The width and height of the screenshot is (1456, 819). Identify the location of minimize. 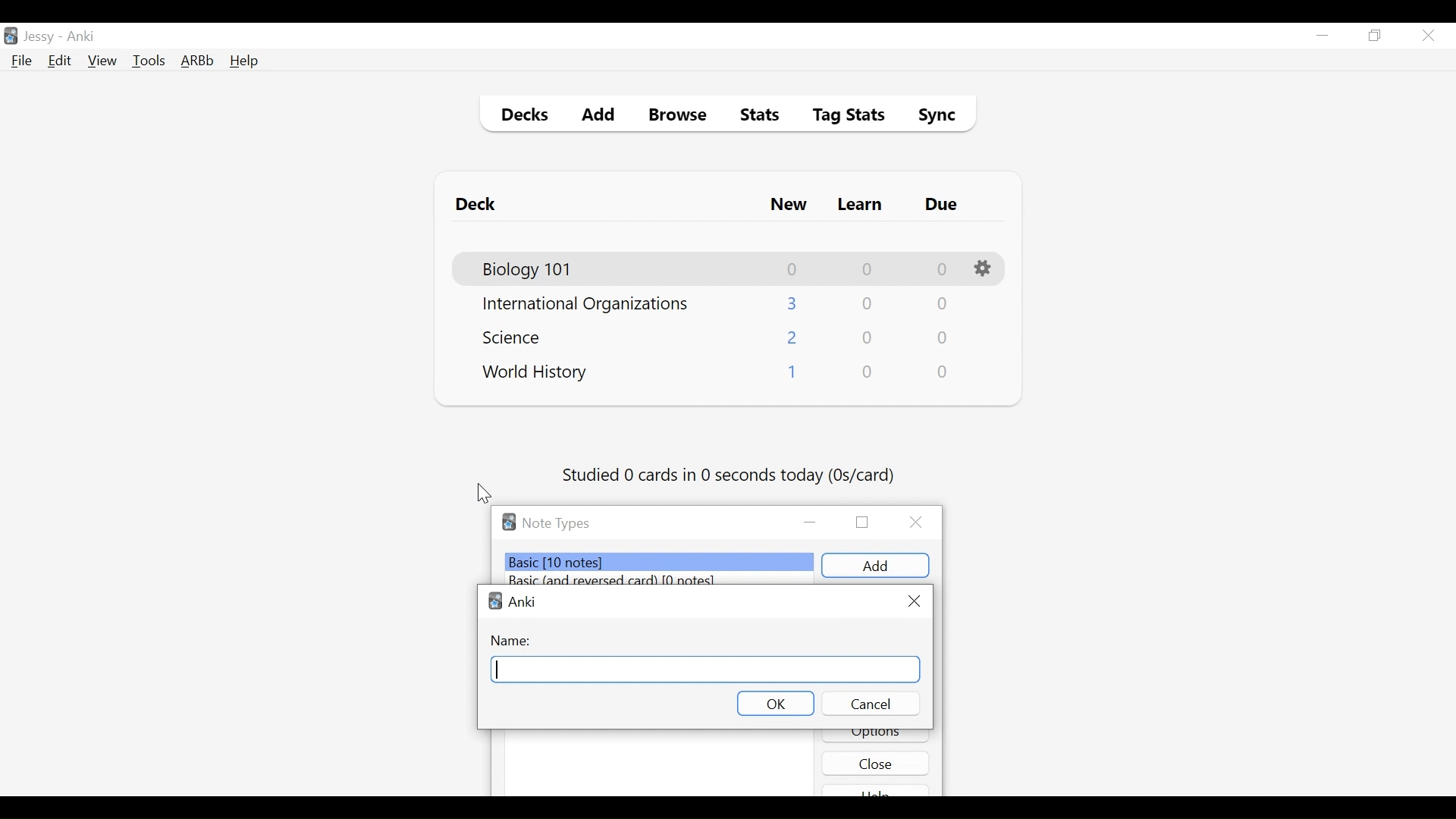
(1322, 36).